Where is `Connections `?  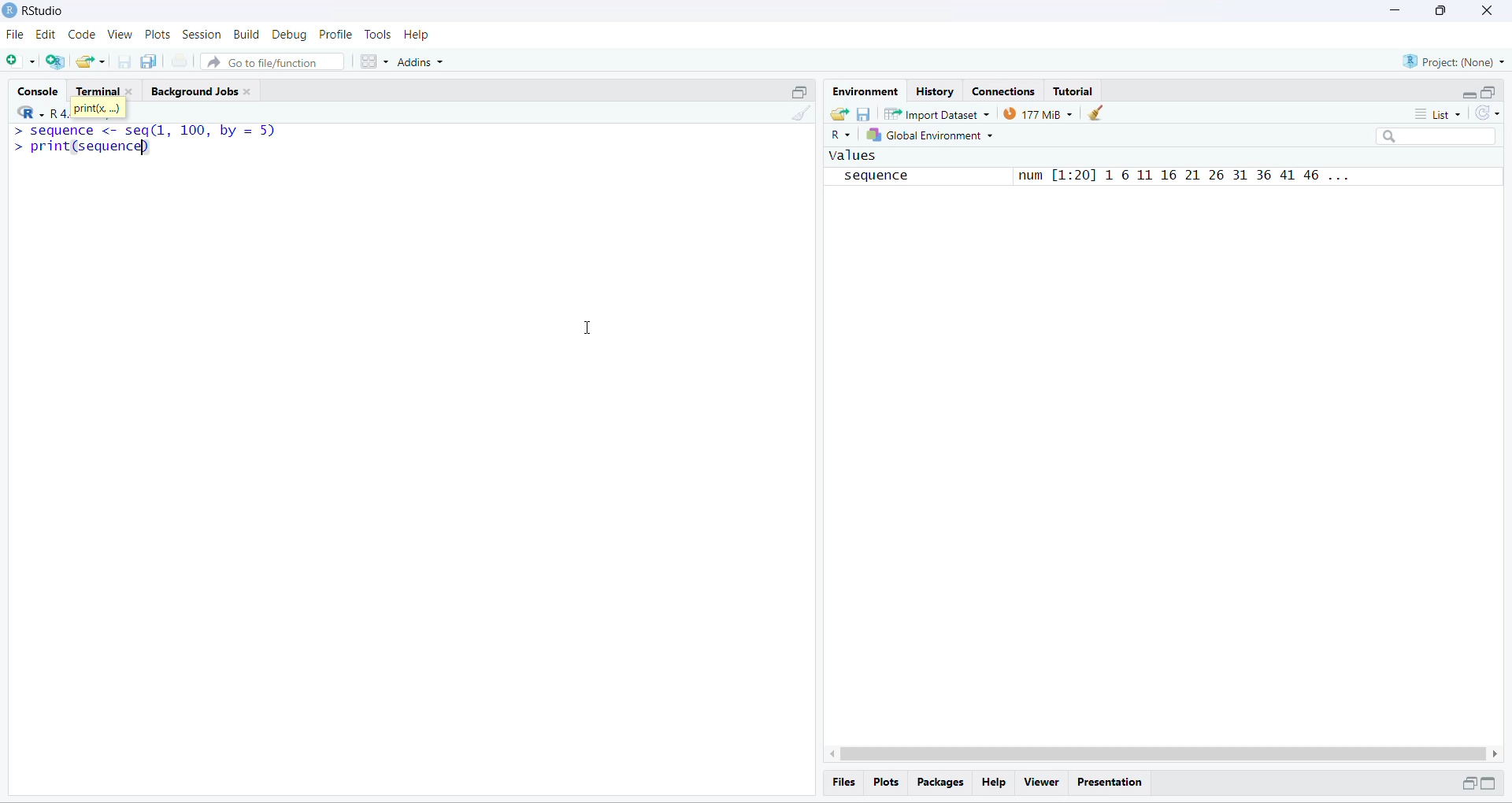
Connections  is located at coordinates (1008, 92).